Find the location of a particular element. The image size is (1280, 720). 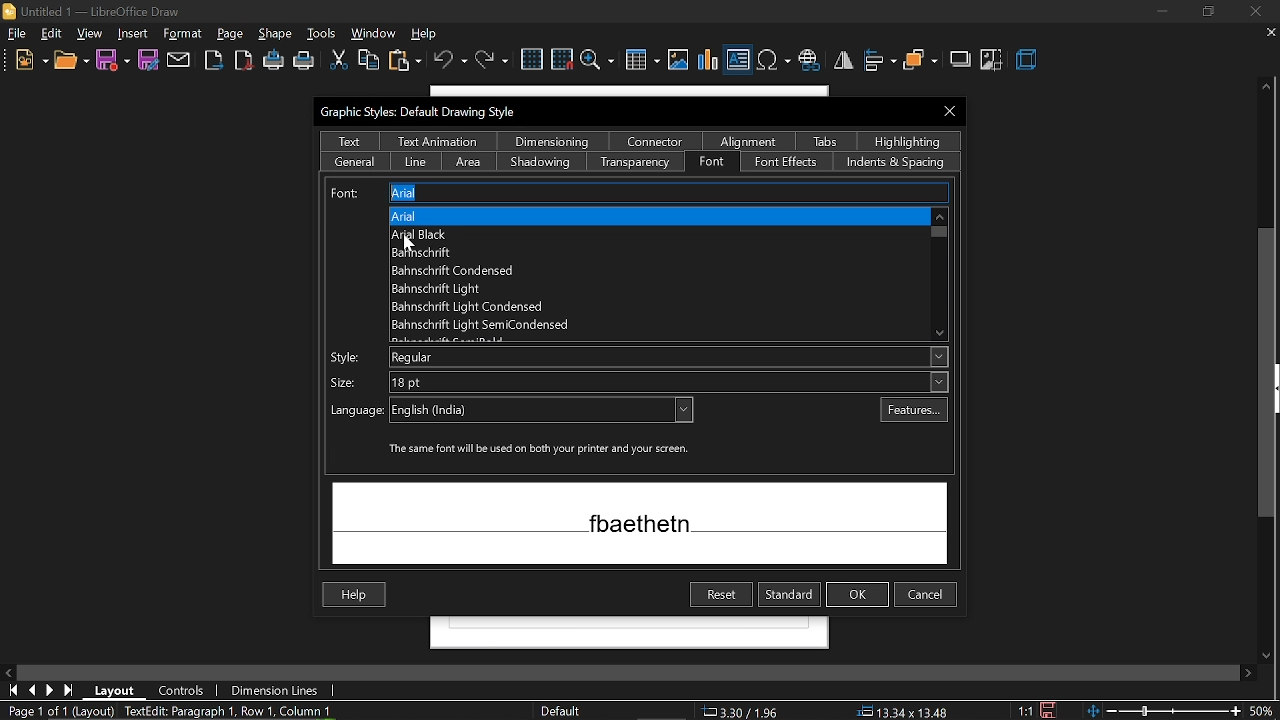

Bahnschrift is located at coordinates (441, 252).